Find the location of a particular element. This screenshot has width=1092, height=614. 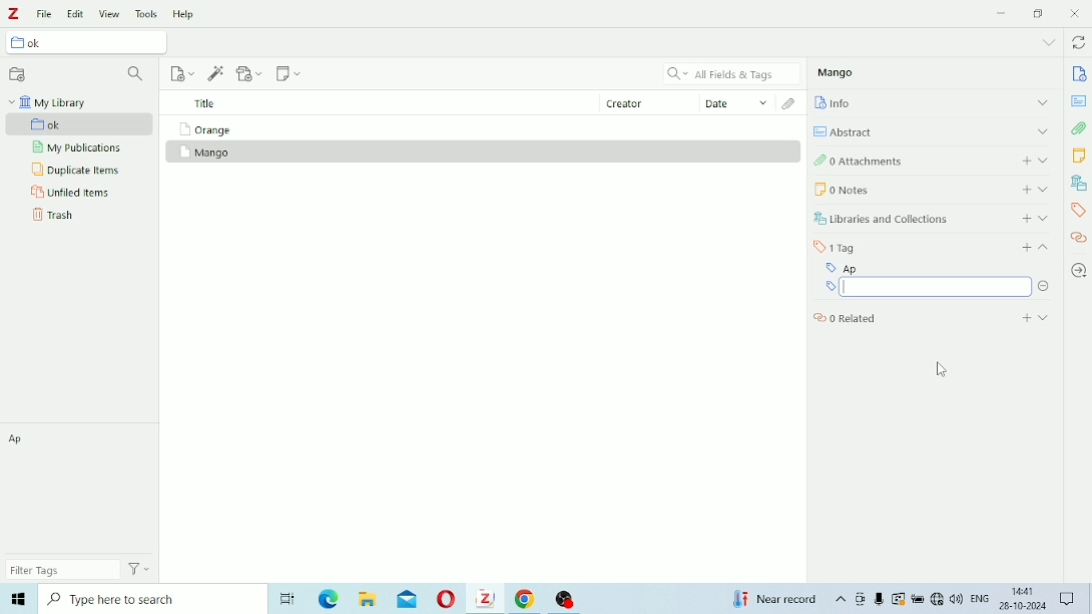

Info is located at coordinates (1080, 75).